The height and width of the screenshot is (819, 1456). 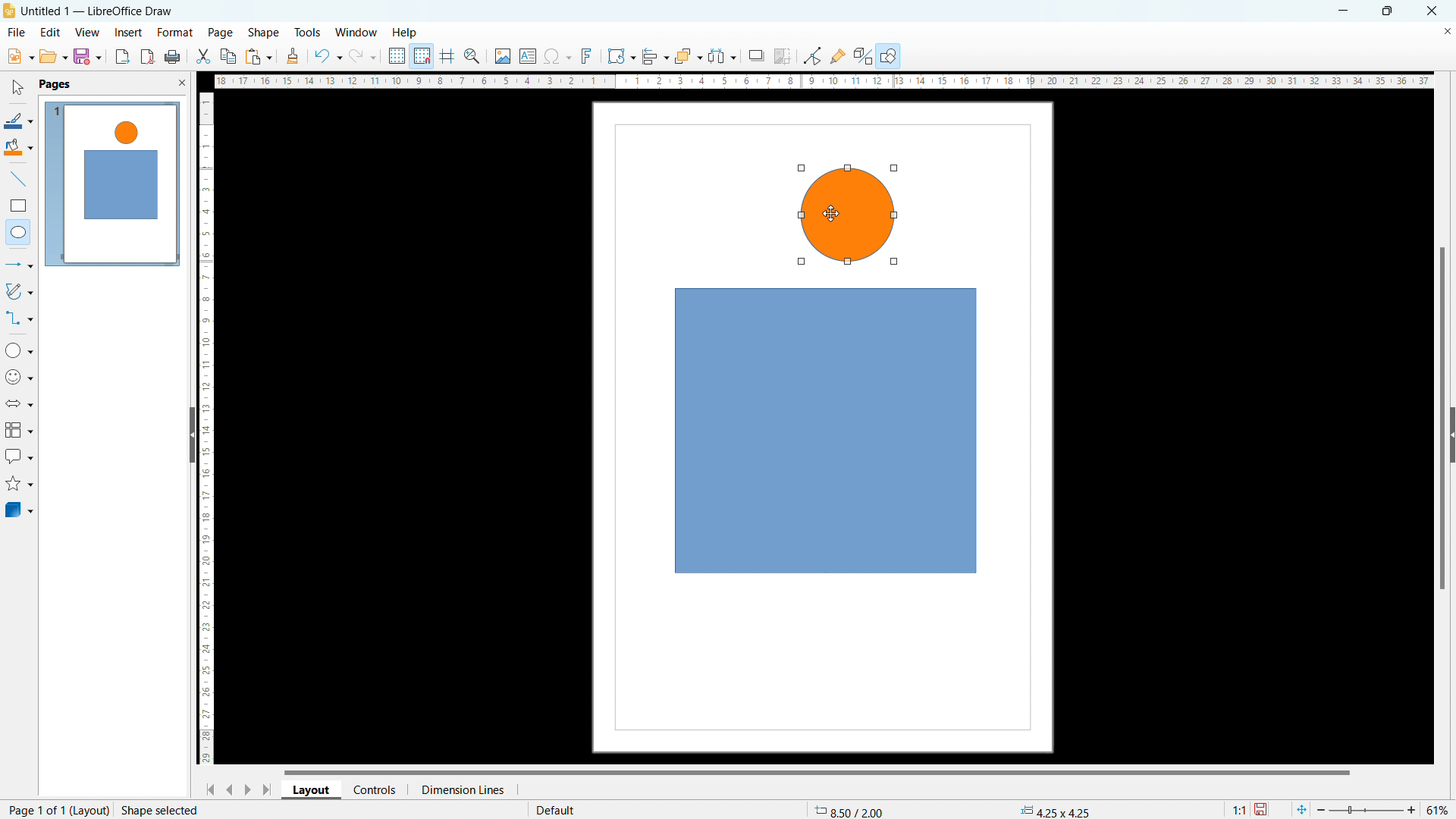 I want to click on shadow, so click(x=755, y=56).